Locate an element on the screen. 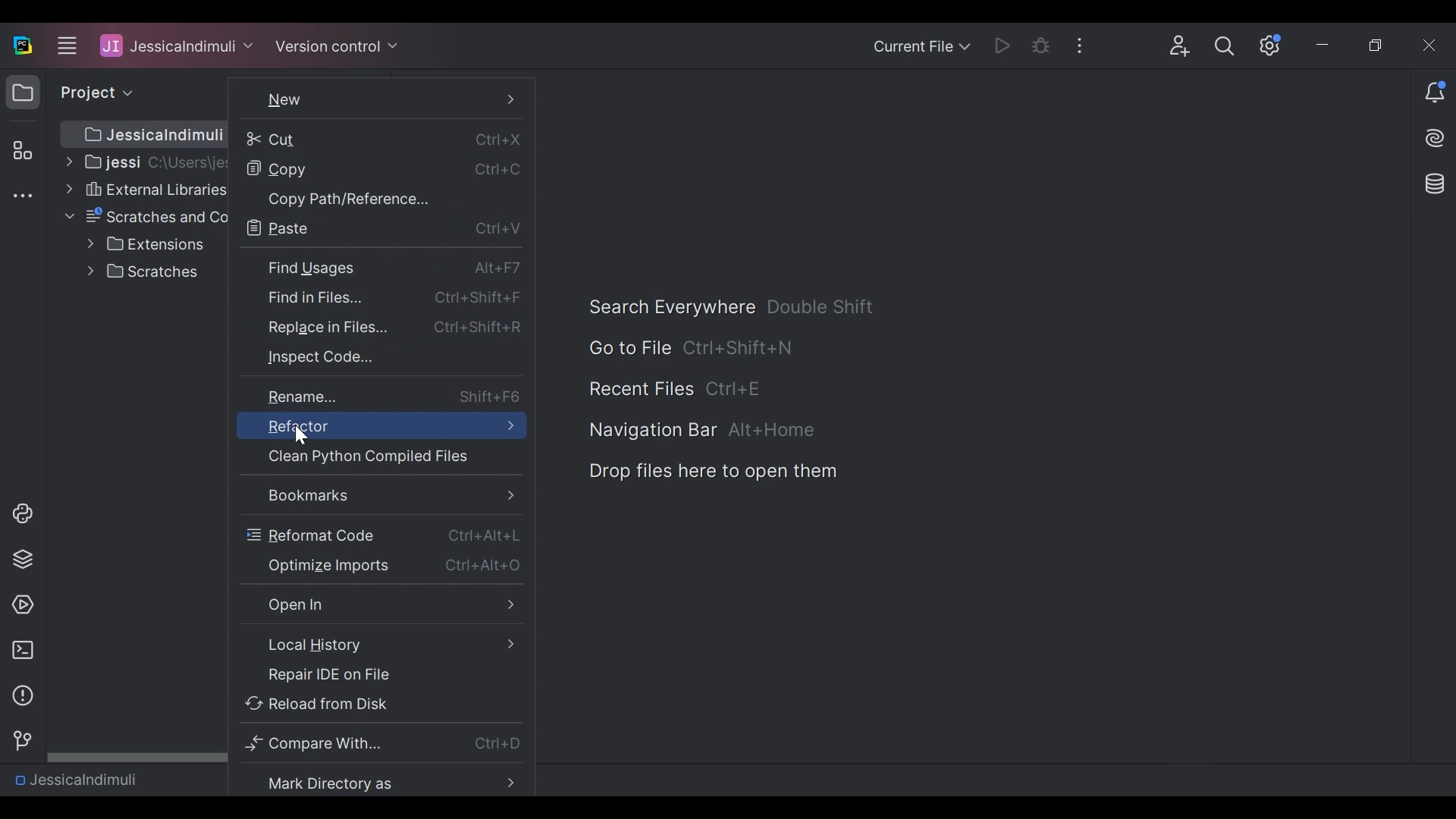  Horizontal Scroll bar is located at coordinates (135, 755).